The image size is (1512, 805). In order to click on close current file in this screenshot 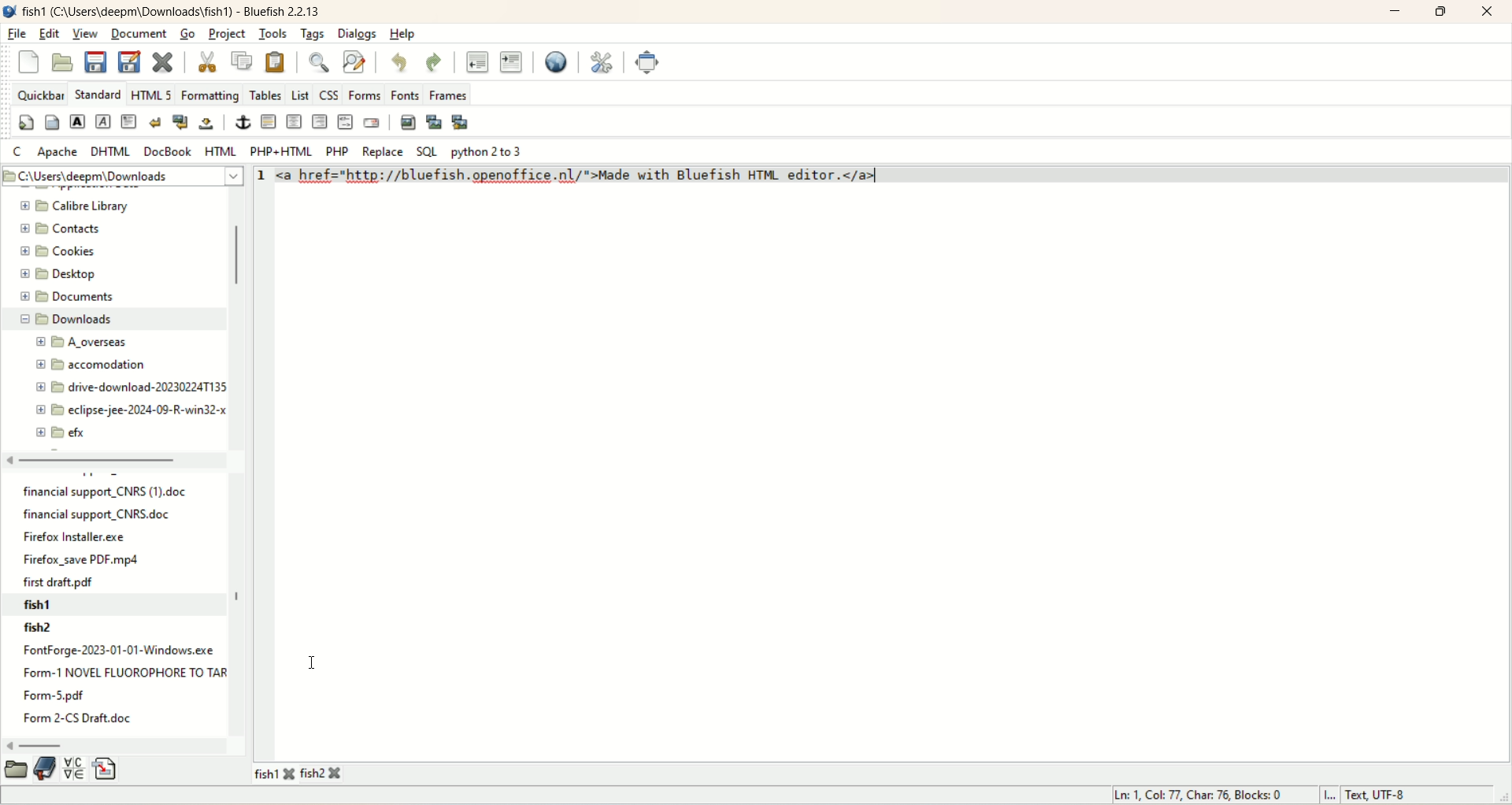, I will do `click(163, 62)`.